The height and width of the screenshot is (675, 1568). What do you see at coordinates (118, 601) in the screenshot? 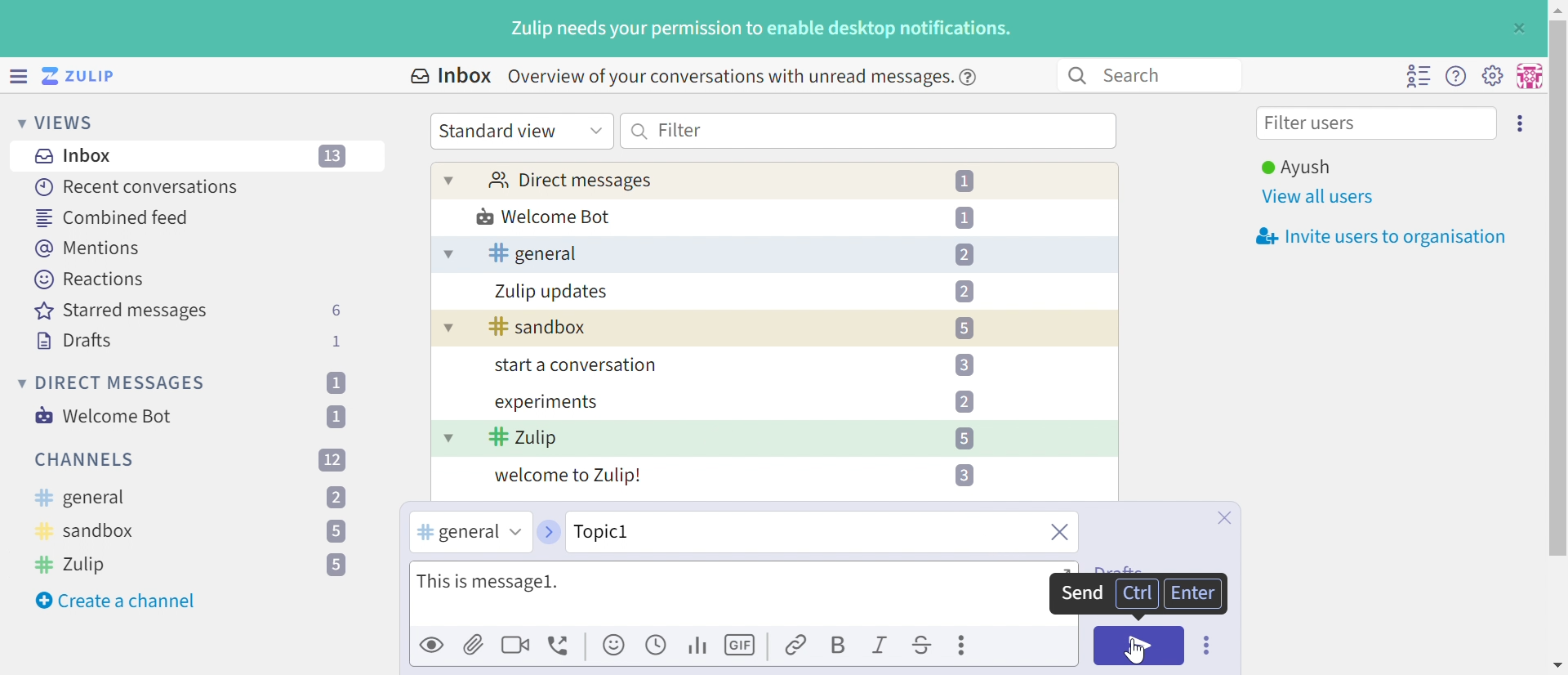
I see `Create a channel` at bounding box center [118, 601].